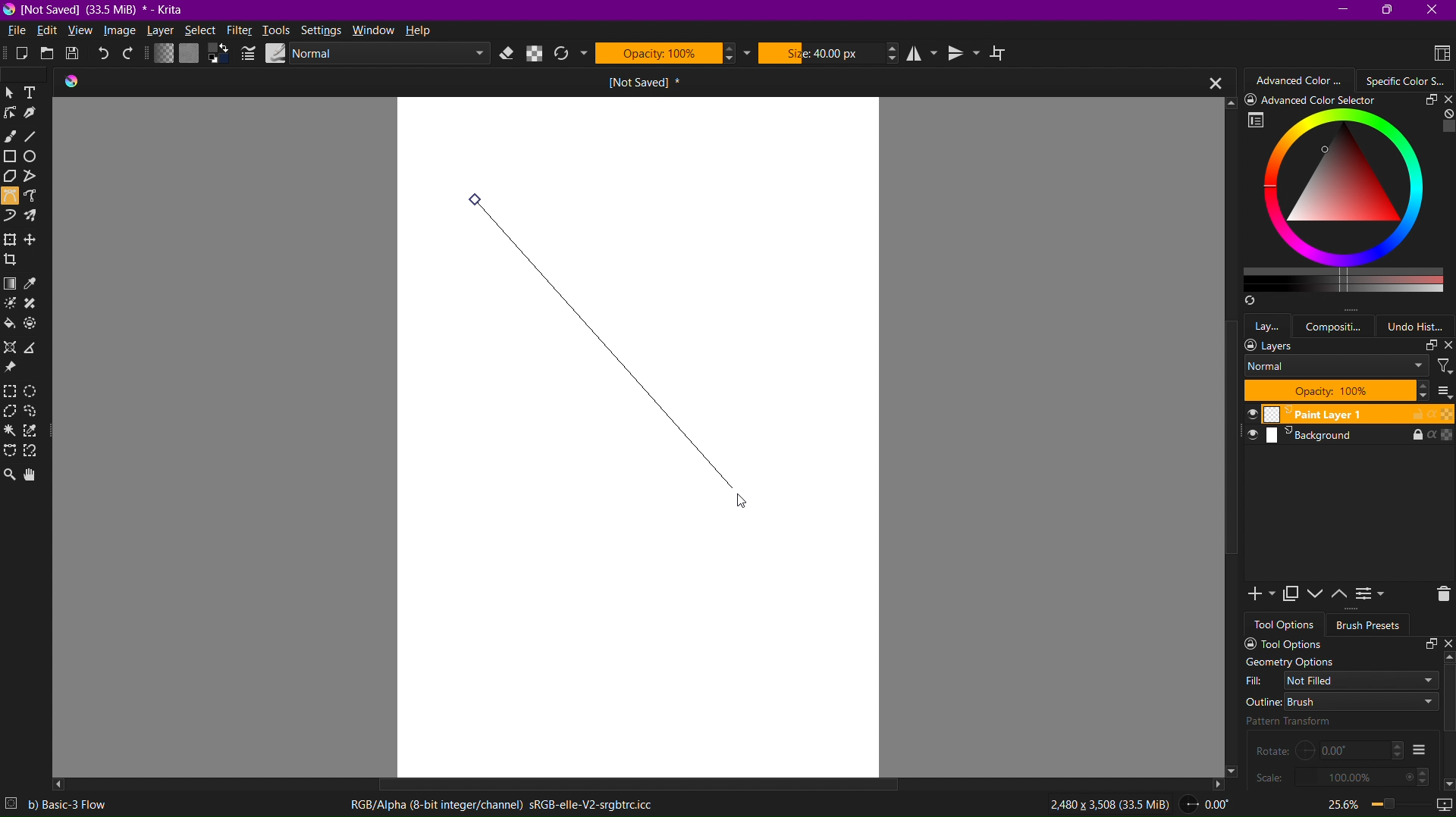 The width and height of the screenshot is (1456, 817). I want to click on Color Wheel, so click(1407, 80).